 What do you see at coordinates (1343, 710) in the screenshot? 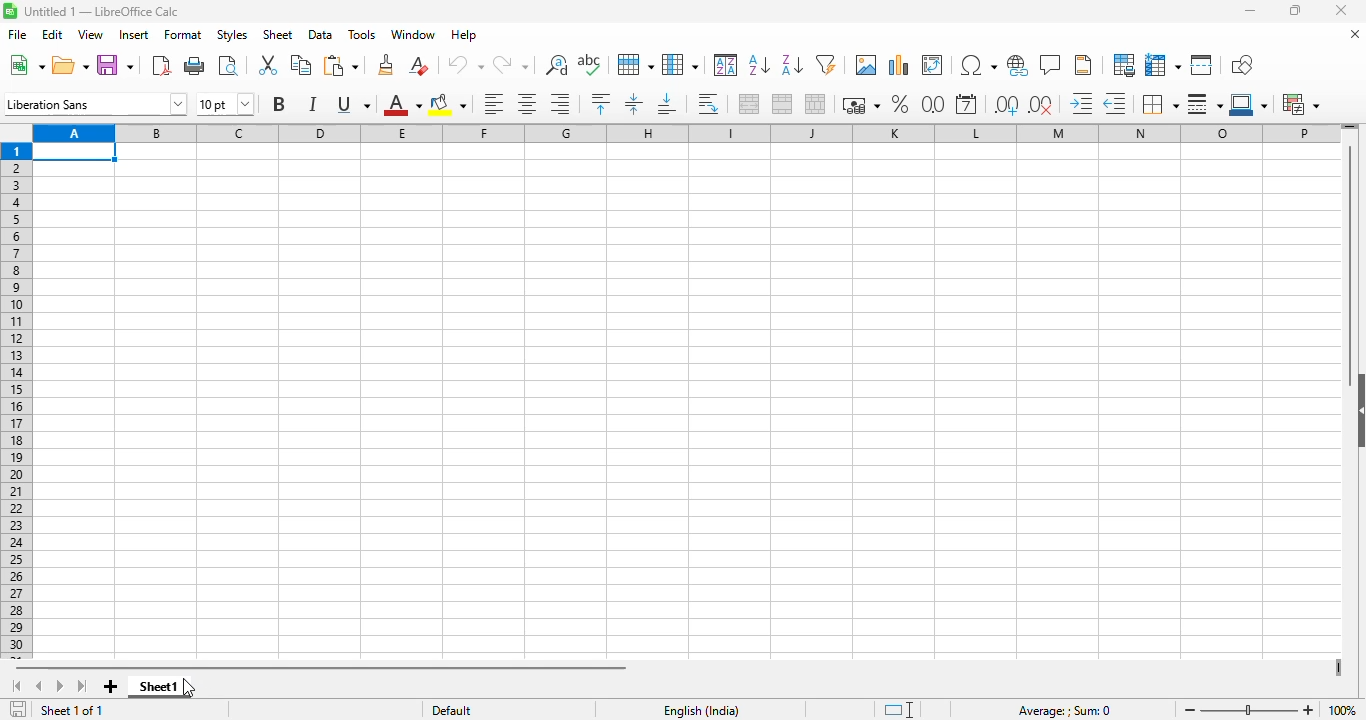
I see `100%` at bounding box center [1343, 710].